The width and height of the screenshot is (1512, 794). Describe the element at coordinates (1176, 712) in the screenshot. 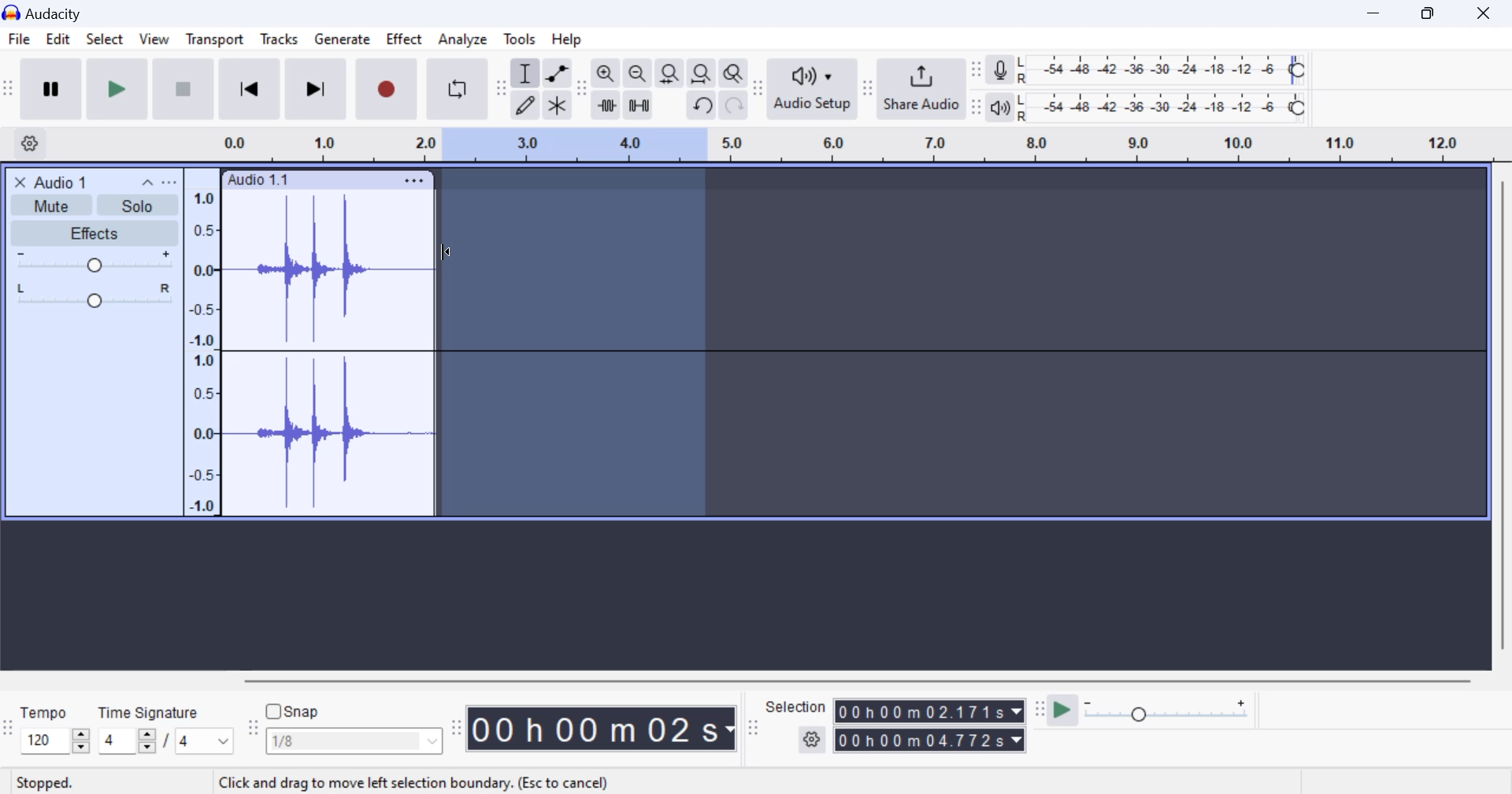

I see `Playback Speed` at that location.